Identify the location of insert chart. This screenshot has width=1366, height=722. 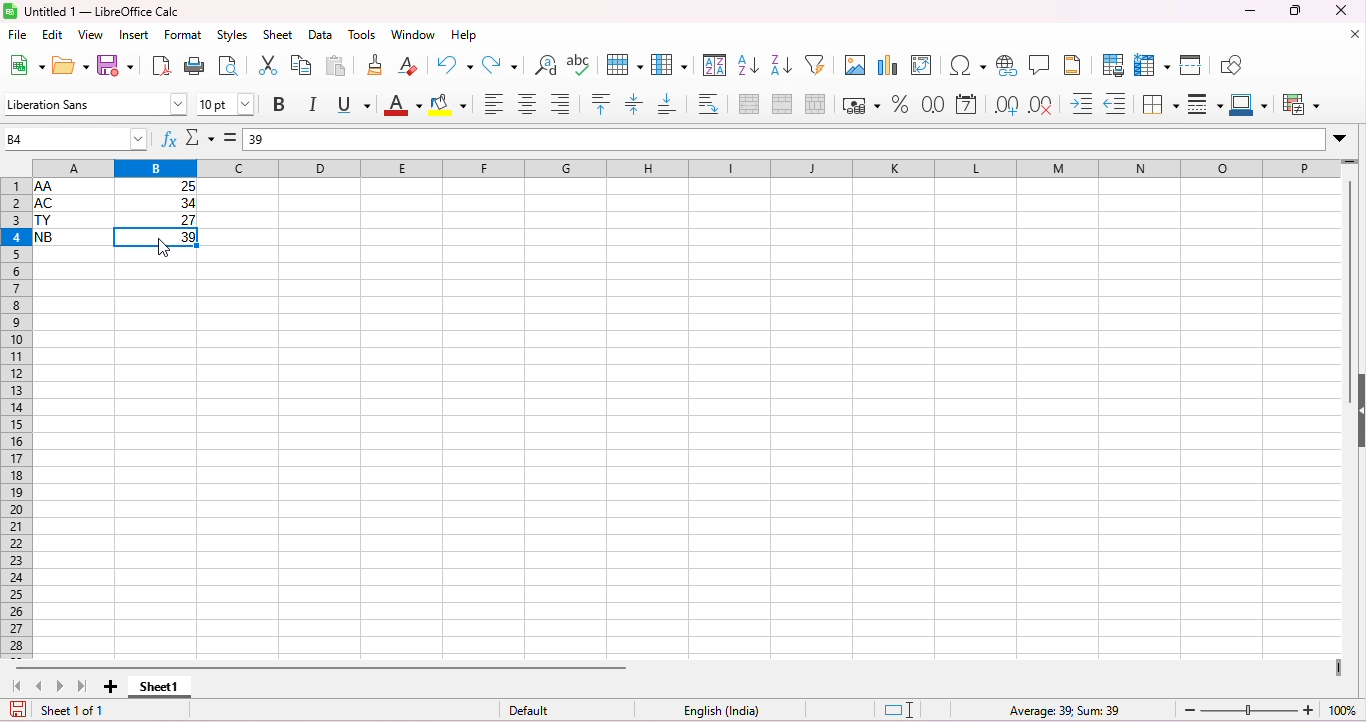
(890, 64).